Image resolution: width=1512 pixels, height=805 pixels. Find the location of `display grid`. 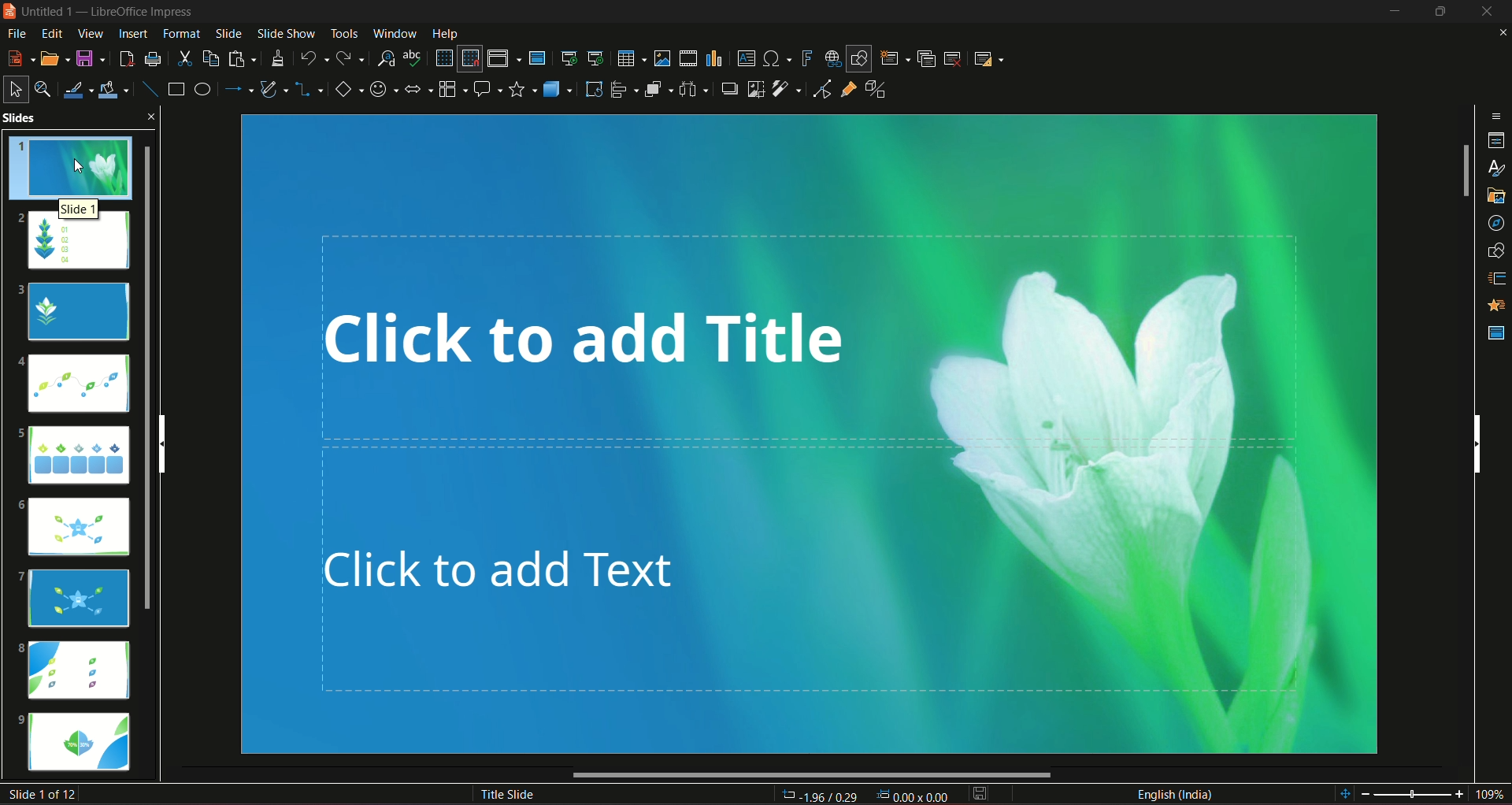

display grid is located at coordinates (443, 57).